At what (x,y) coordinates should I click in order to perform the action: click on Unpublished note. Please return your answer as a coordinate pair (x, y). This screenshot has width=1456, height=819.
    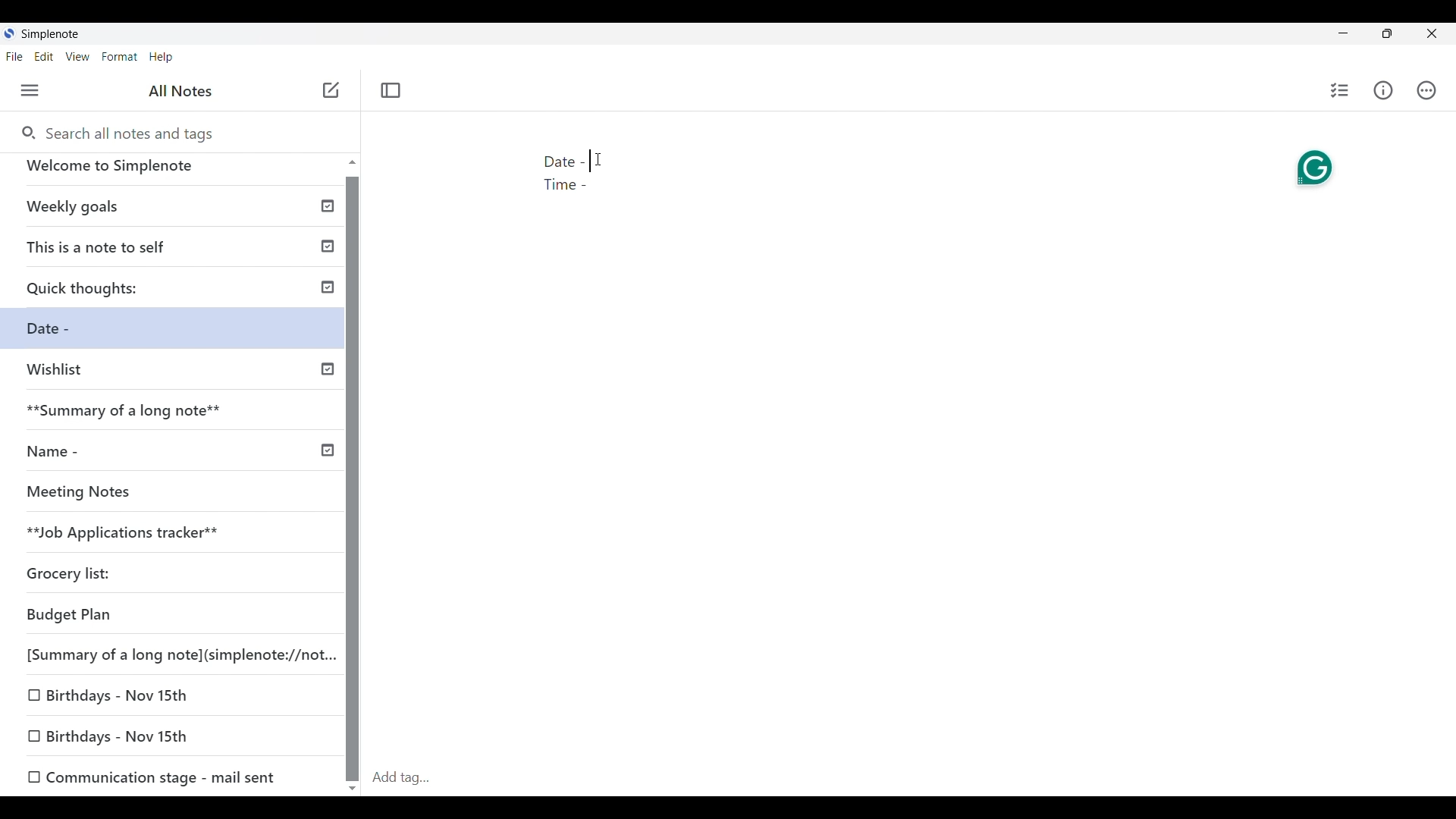
    Looking at the image, I should click on (168, 535).